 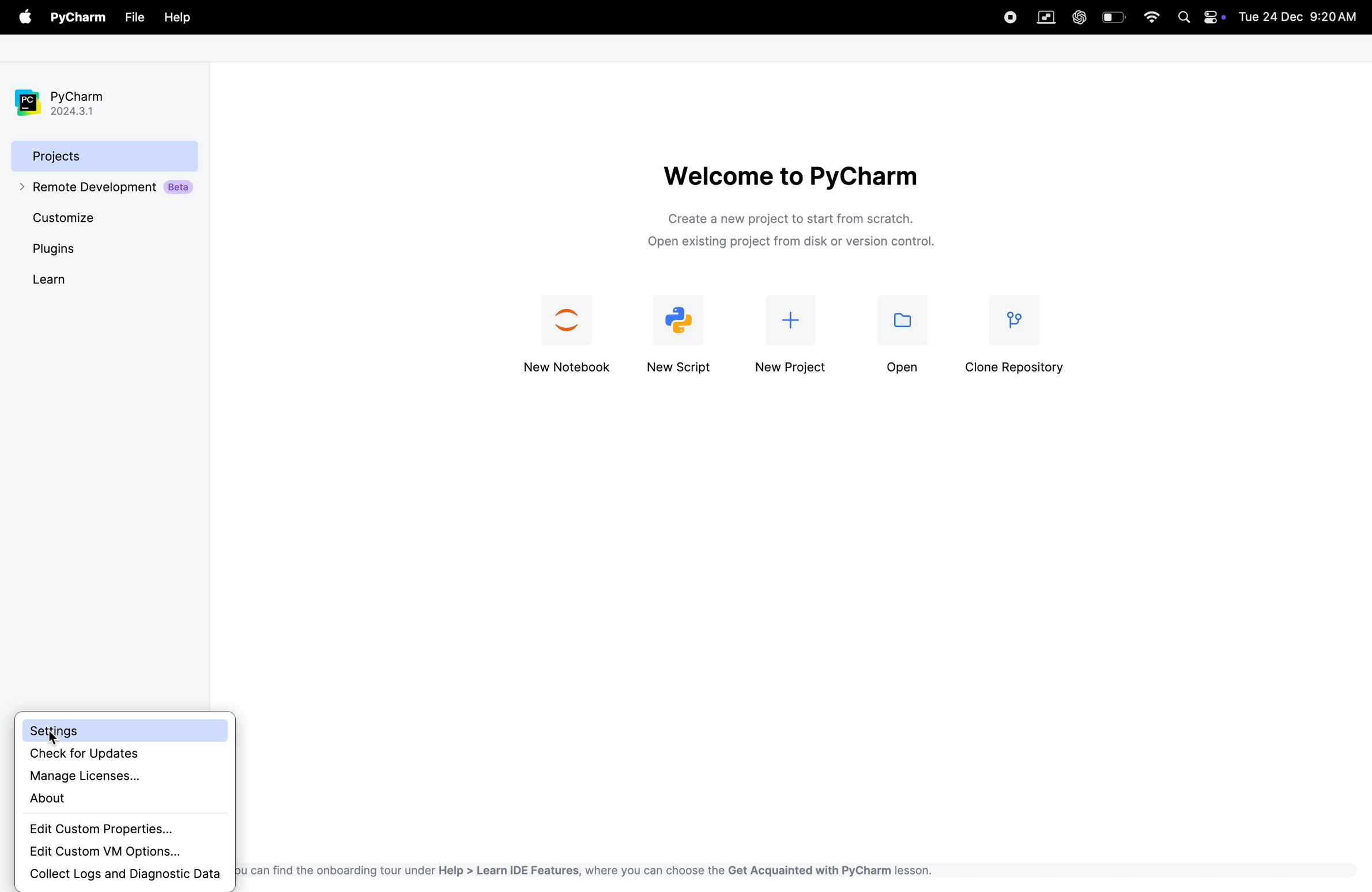 I want to click on record, so click(x=1004, y=16).